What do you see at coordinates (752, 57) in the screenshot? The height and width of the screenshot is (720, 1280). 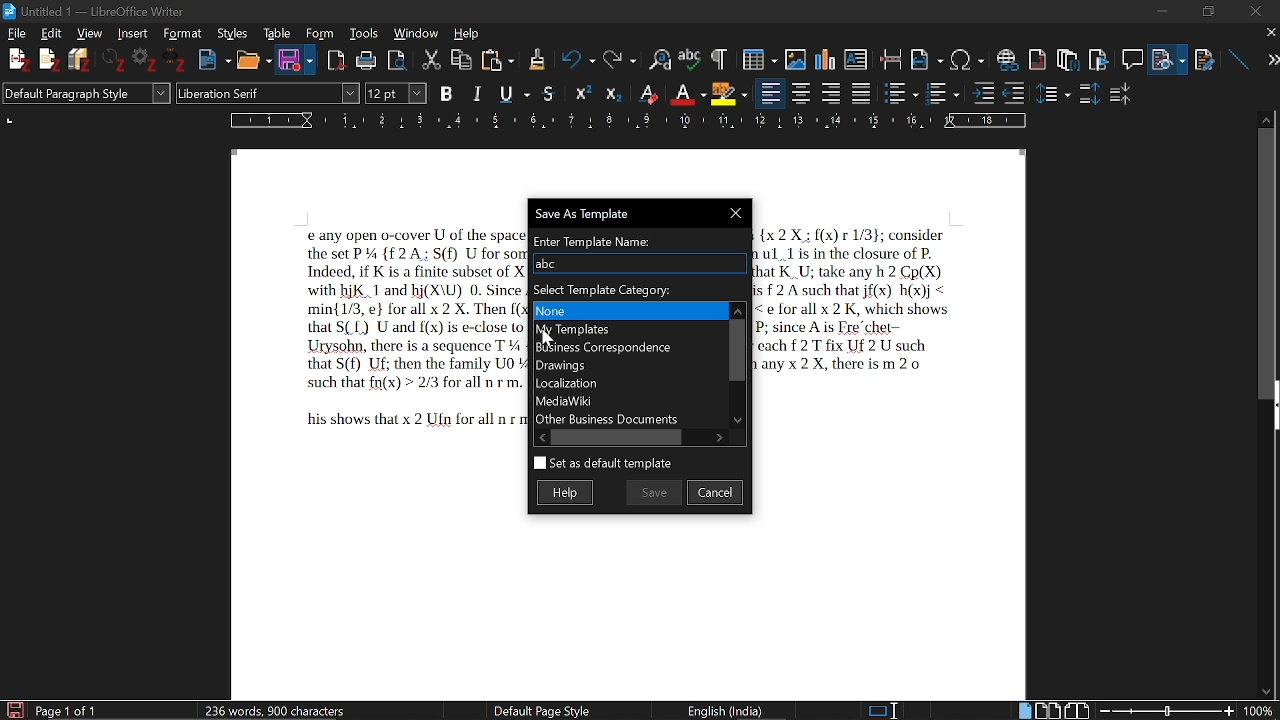 I see `Insert table` at bounding box center [752, 57].